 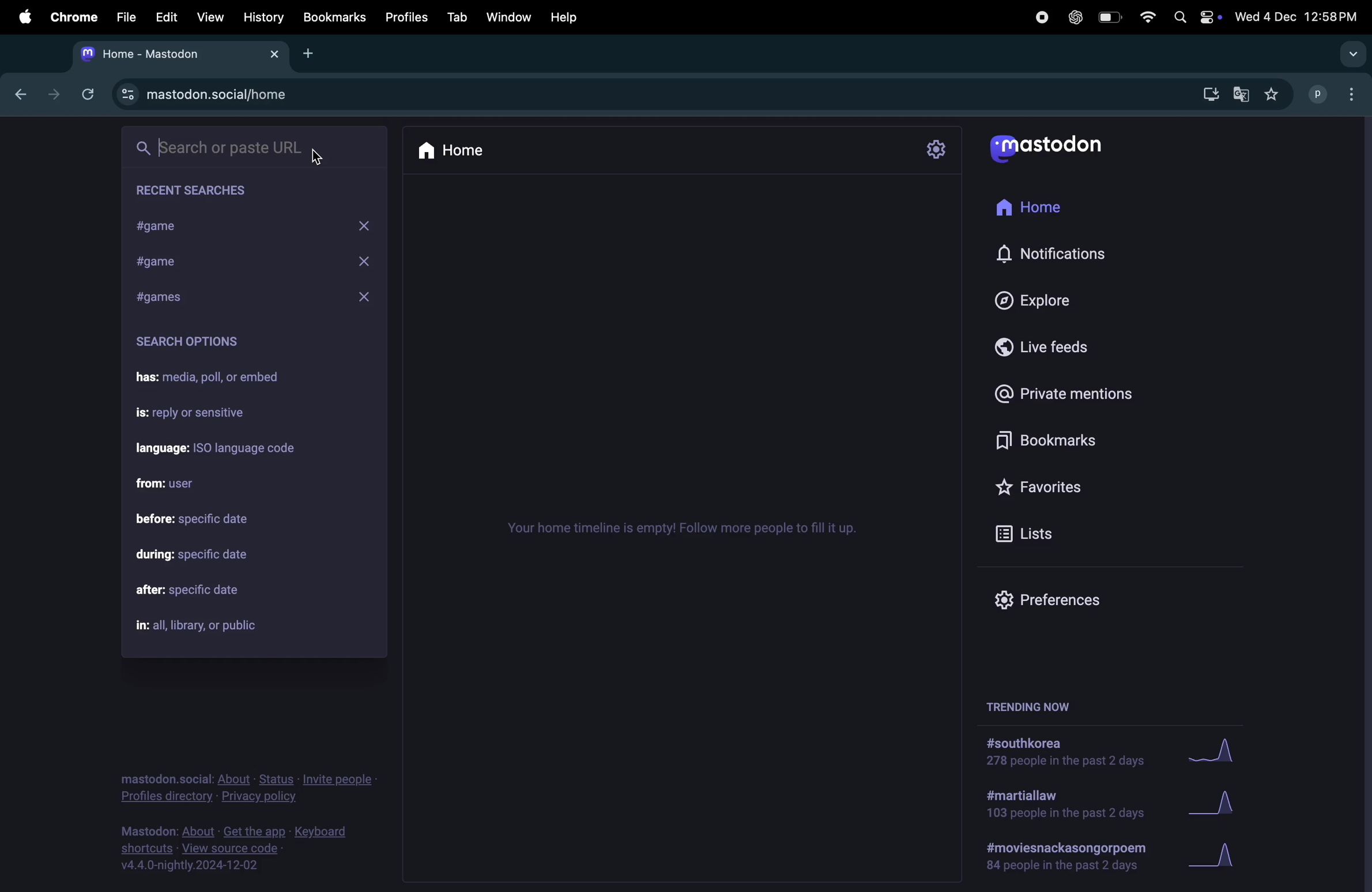 What do you see at coordinates (457, 16) in the screenshot?
I see `Tab` at bounding box center [457, 16].